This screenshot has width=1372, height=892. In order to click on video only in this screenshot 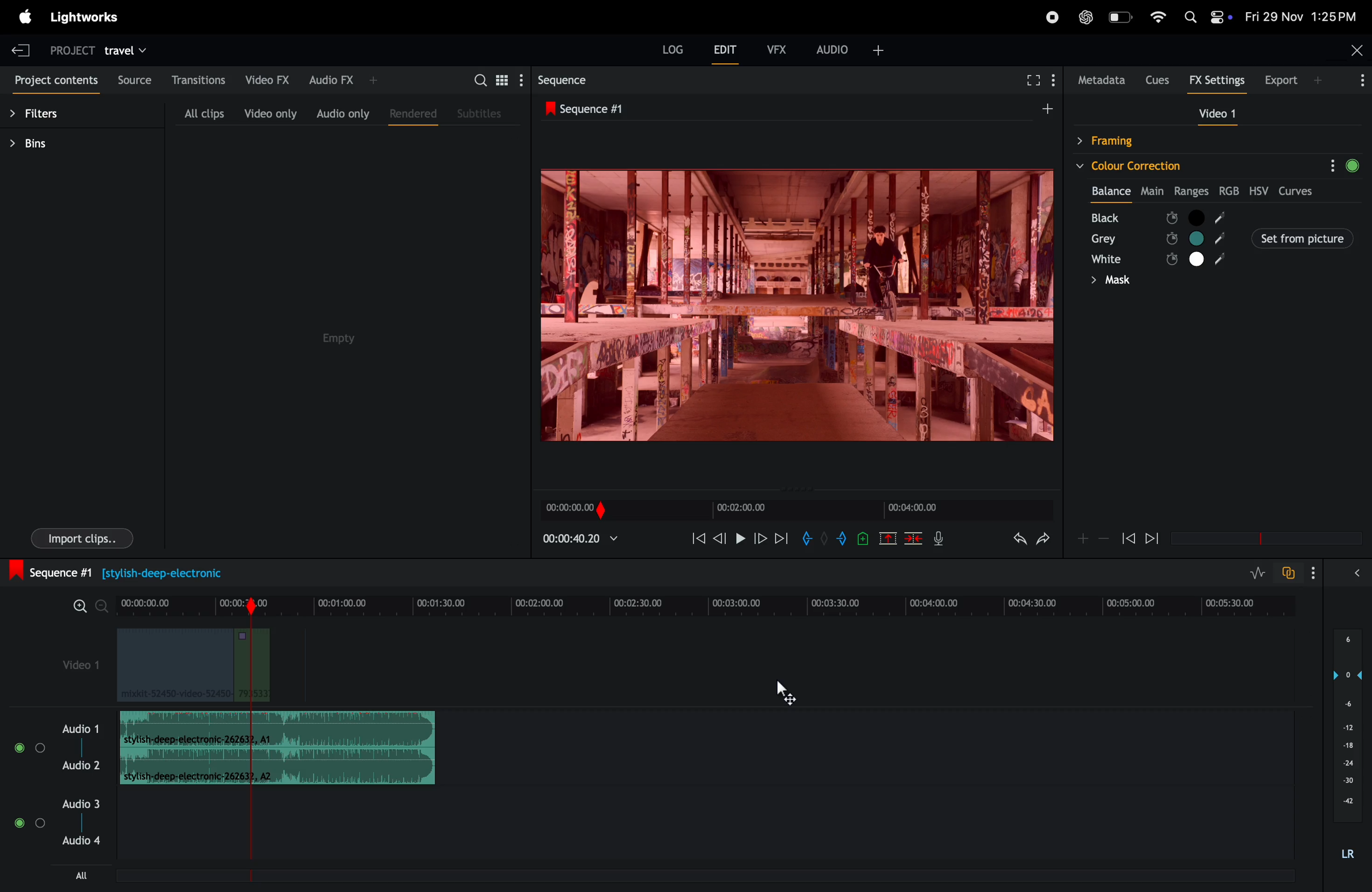, I will do `click(270, 114)`.